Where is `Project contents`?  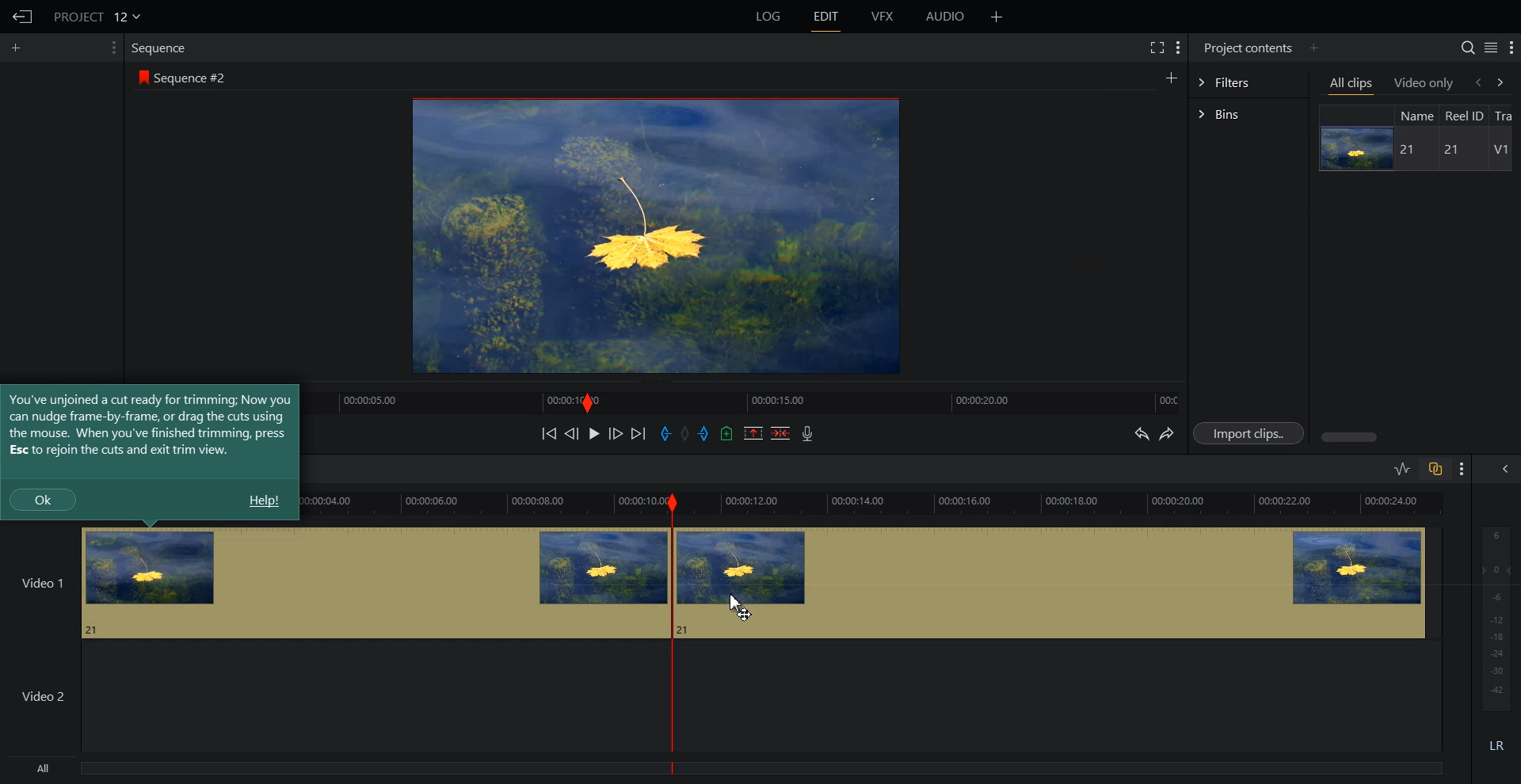 Project contents is located at coordinates (1248, 48).